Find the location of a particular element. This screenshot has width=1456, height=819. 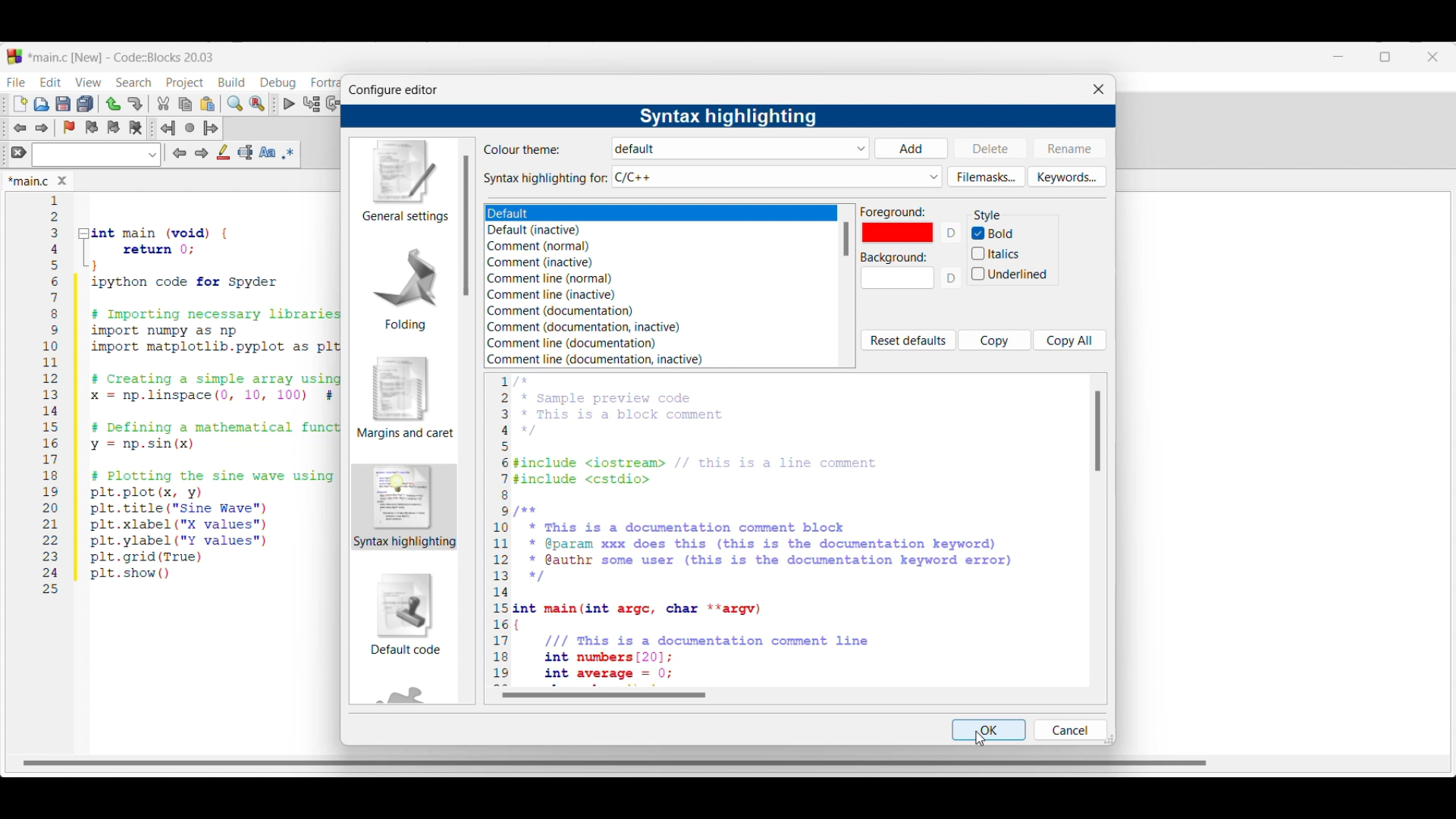

Syntax highlighting options is located at coordinates (777, 177).